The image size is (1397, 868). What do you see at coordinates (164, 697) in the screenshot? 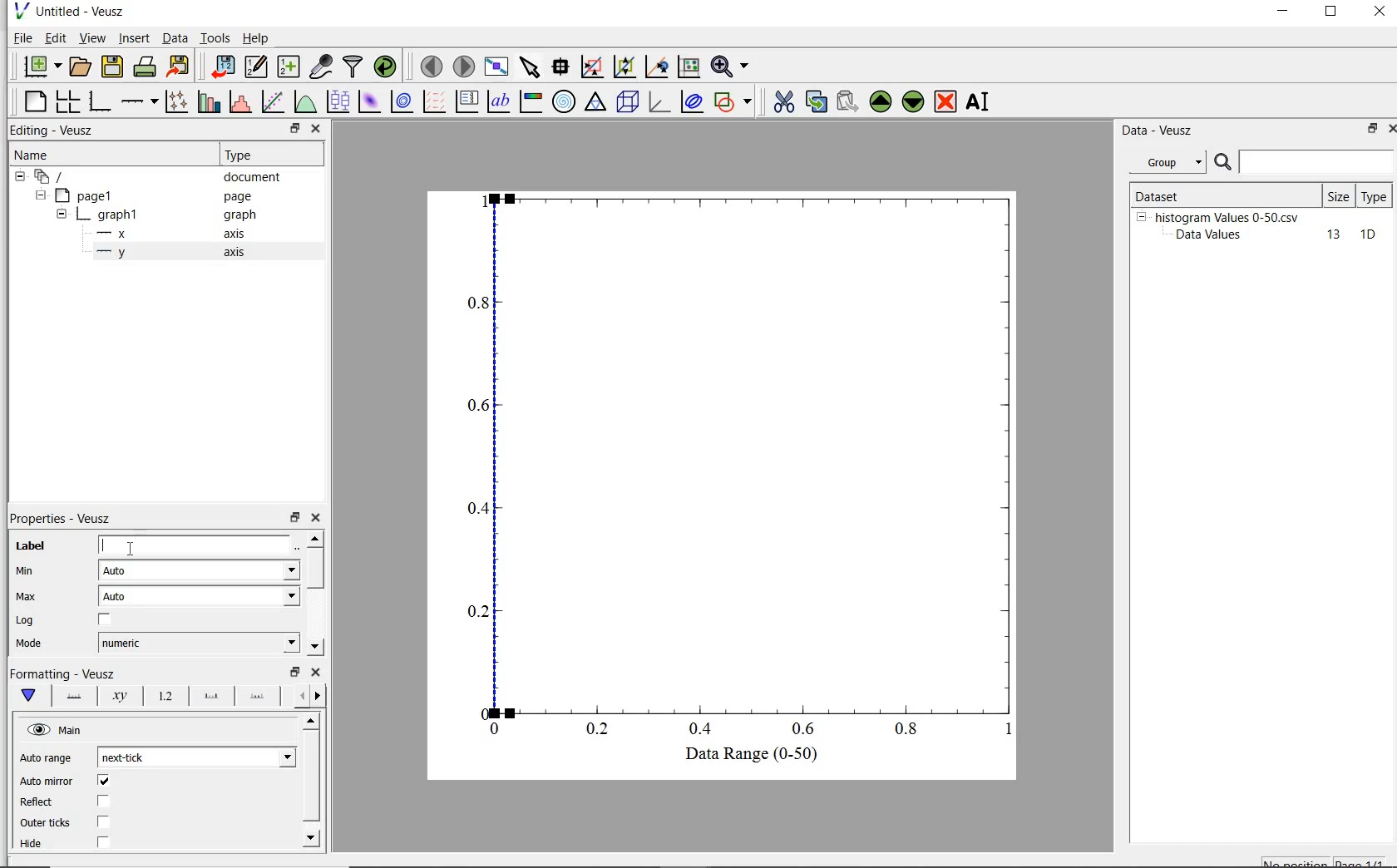
I see `tick label` at bounding box center [164, 697].